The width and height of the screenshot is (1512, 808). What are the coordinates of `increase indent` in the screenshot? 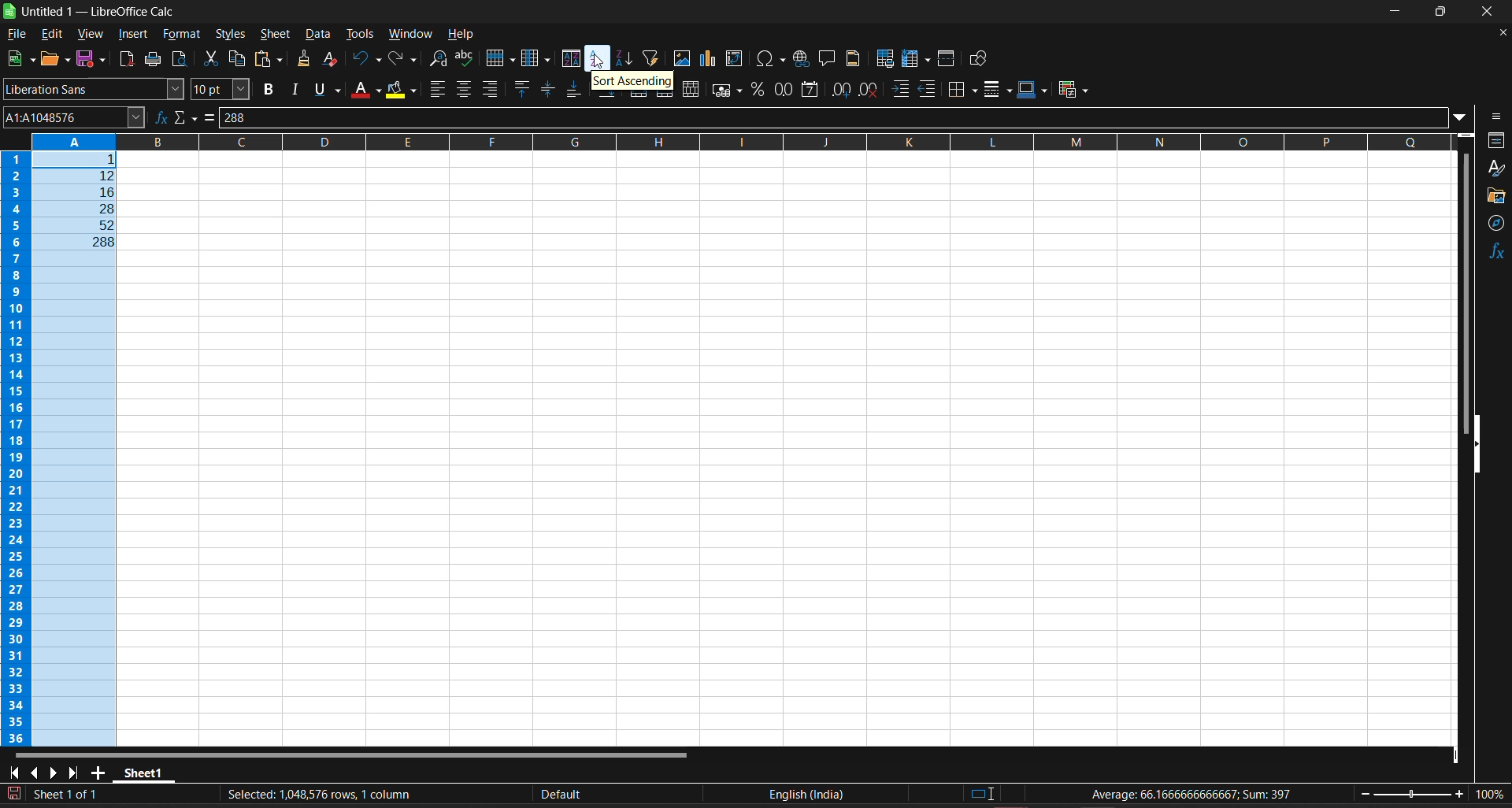 It's located at (902, 90).